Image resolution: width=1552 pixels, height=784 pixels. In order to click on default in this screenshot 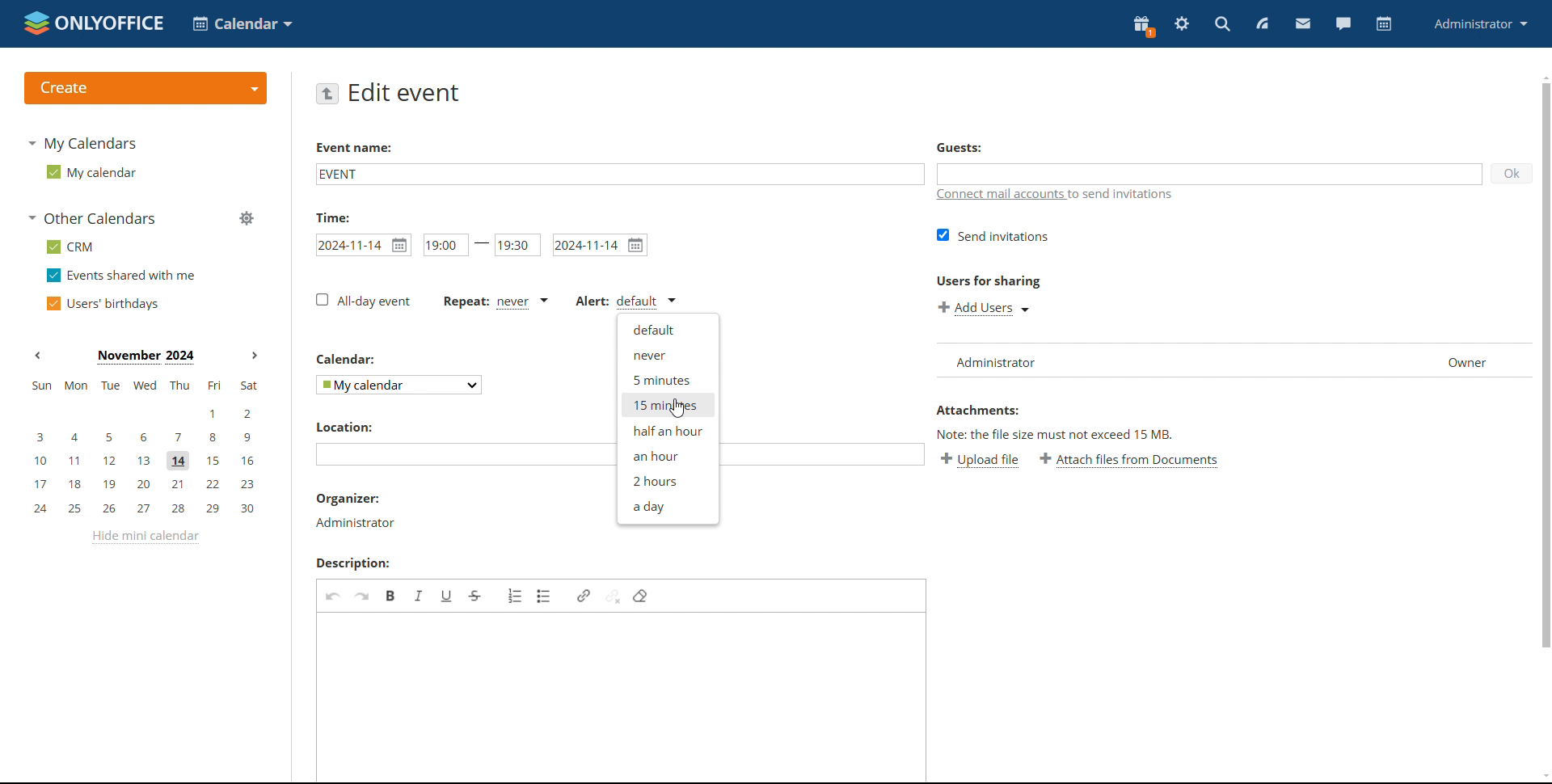, I will do `click(667, 329)`.